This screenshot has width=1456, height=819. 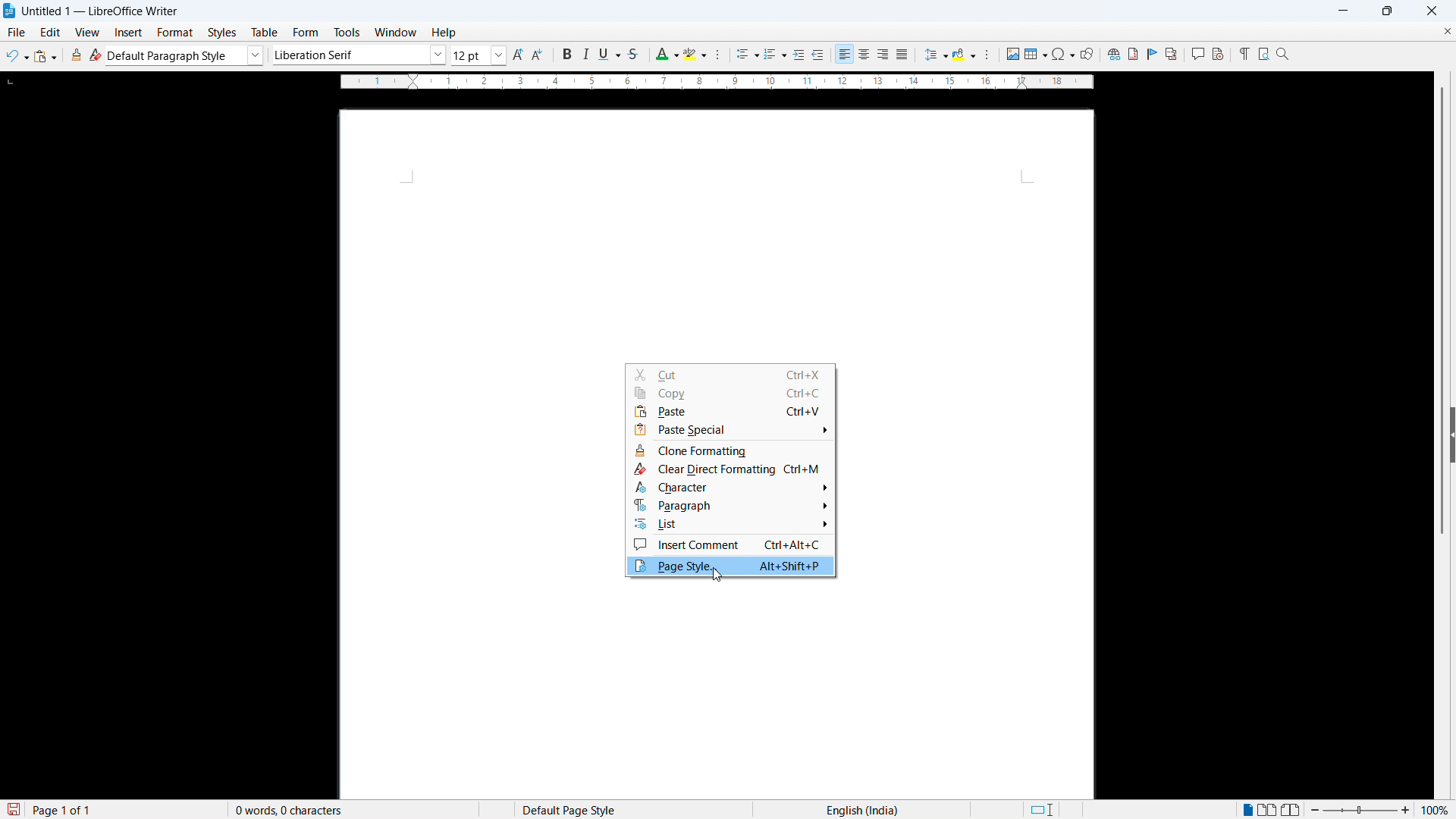 What do you see at coordinates (730, 469) in the screenshot?
I see `Clear direct formatting ` at bounding box center [730, 469].